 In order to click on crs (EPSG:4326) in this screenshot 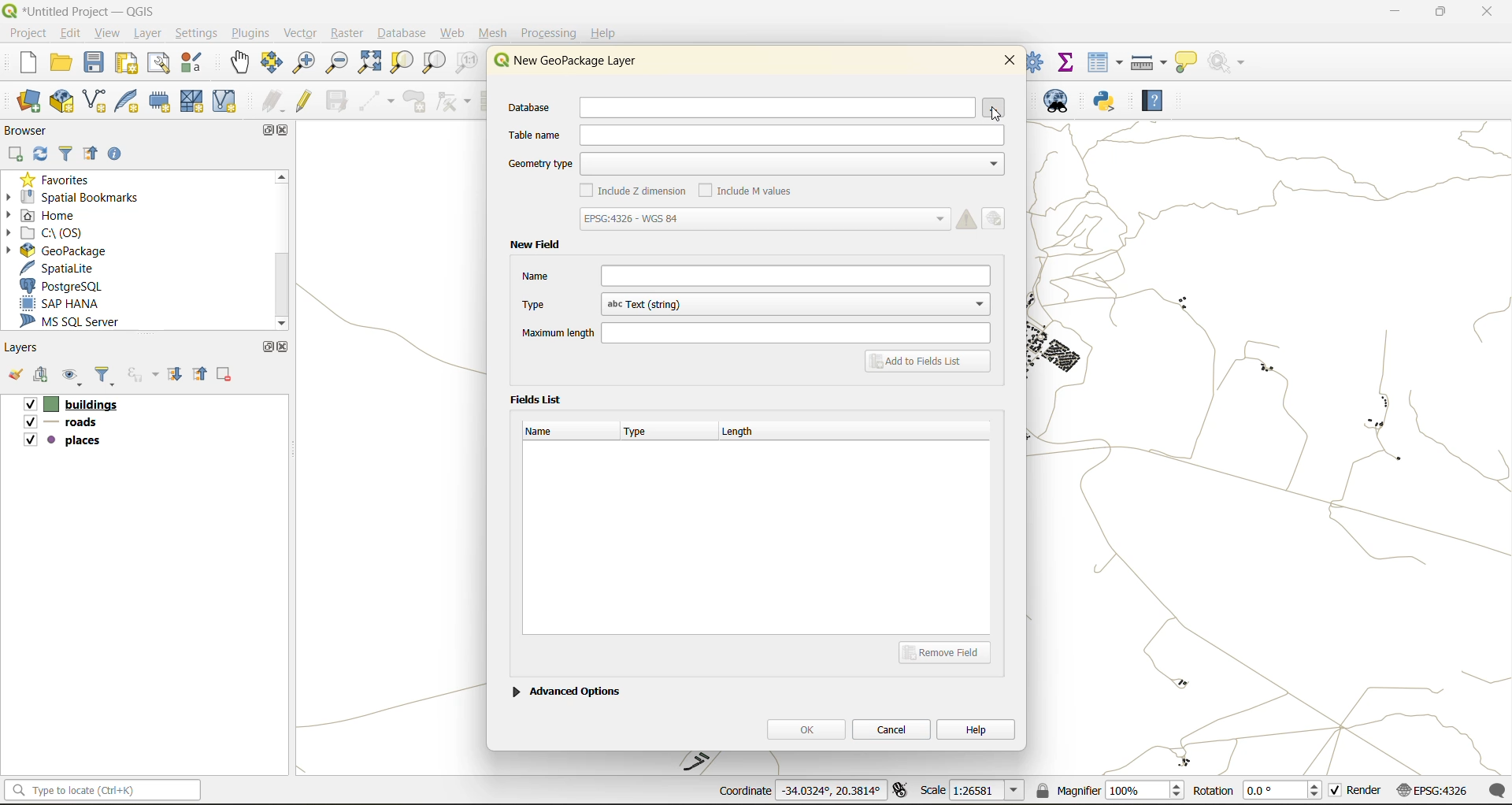, I will do `click(1436, 791)`.